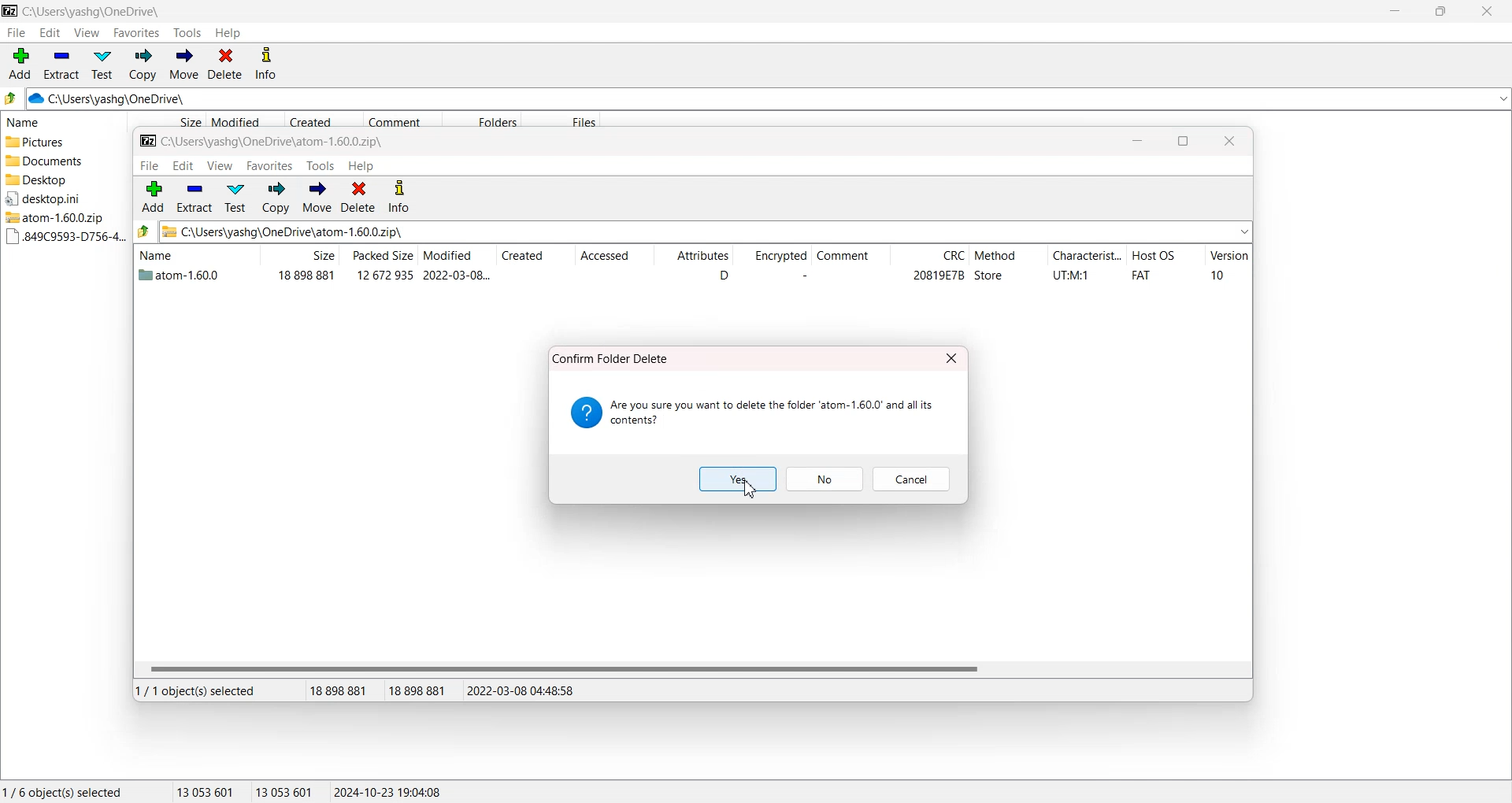 This screenshot has width=1512, height=803. Describe the element at coordinates (299, 255) in the screenshot. I see `Size` at that location.